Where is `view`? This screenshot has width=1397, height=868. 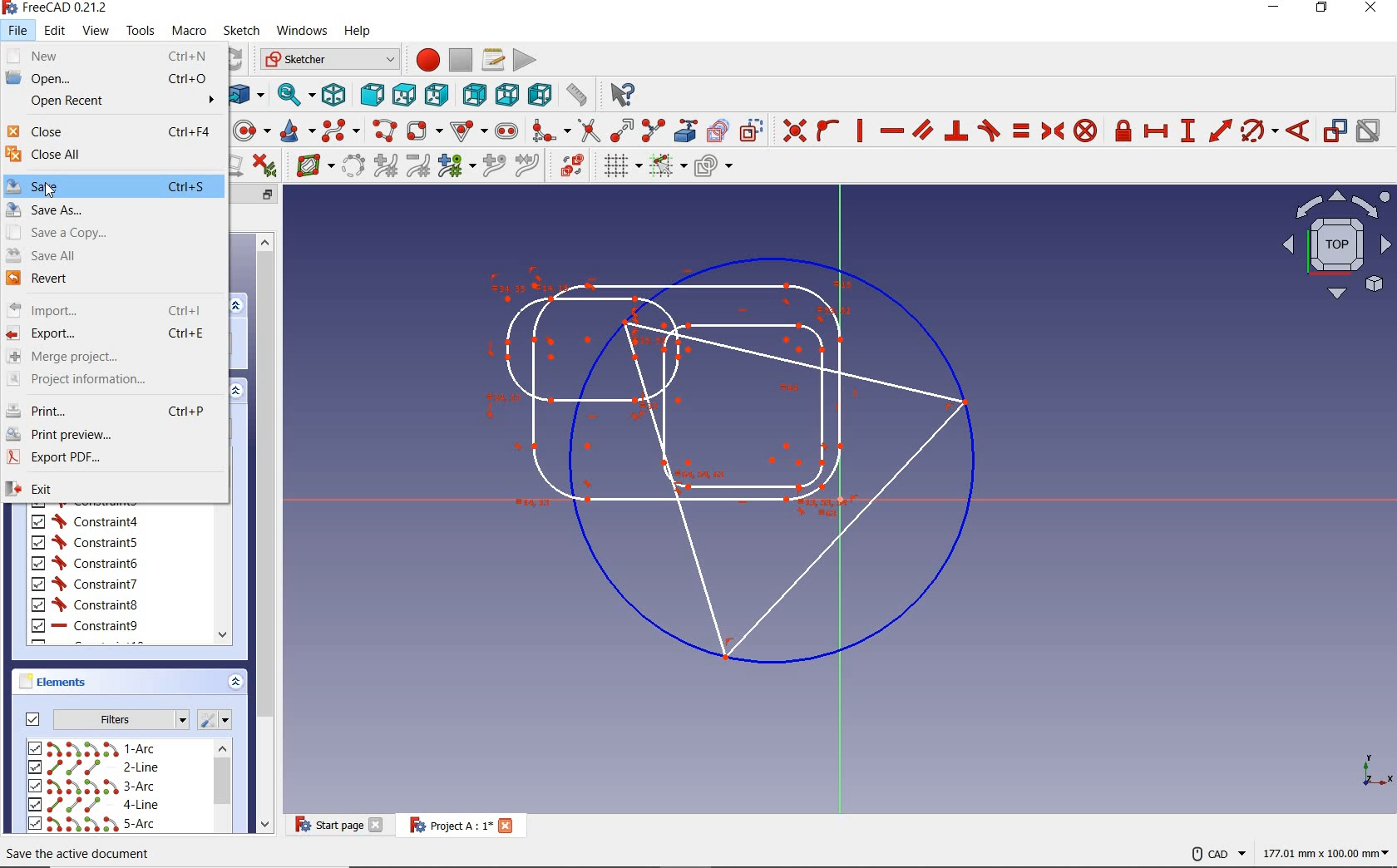
view is located at coordinates (96, 32).